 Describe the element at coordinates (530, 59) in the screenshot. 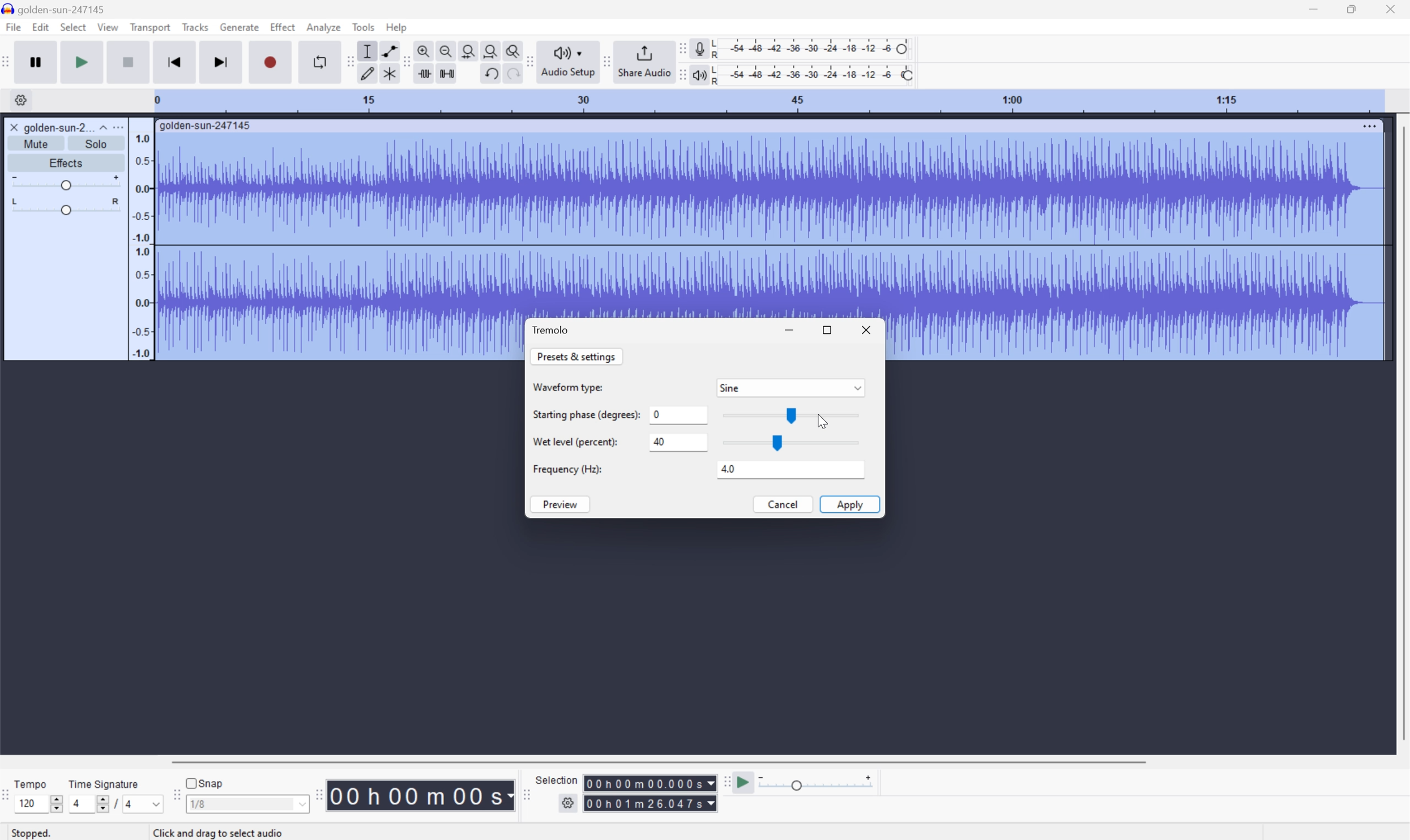

I see `Audacity audio share toolbar` at that location.